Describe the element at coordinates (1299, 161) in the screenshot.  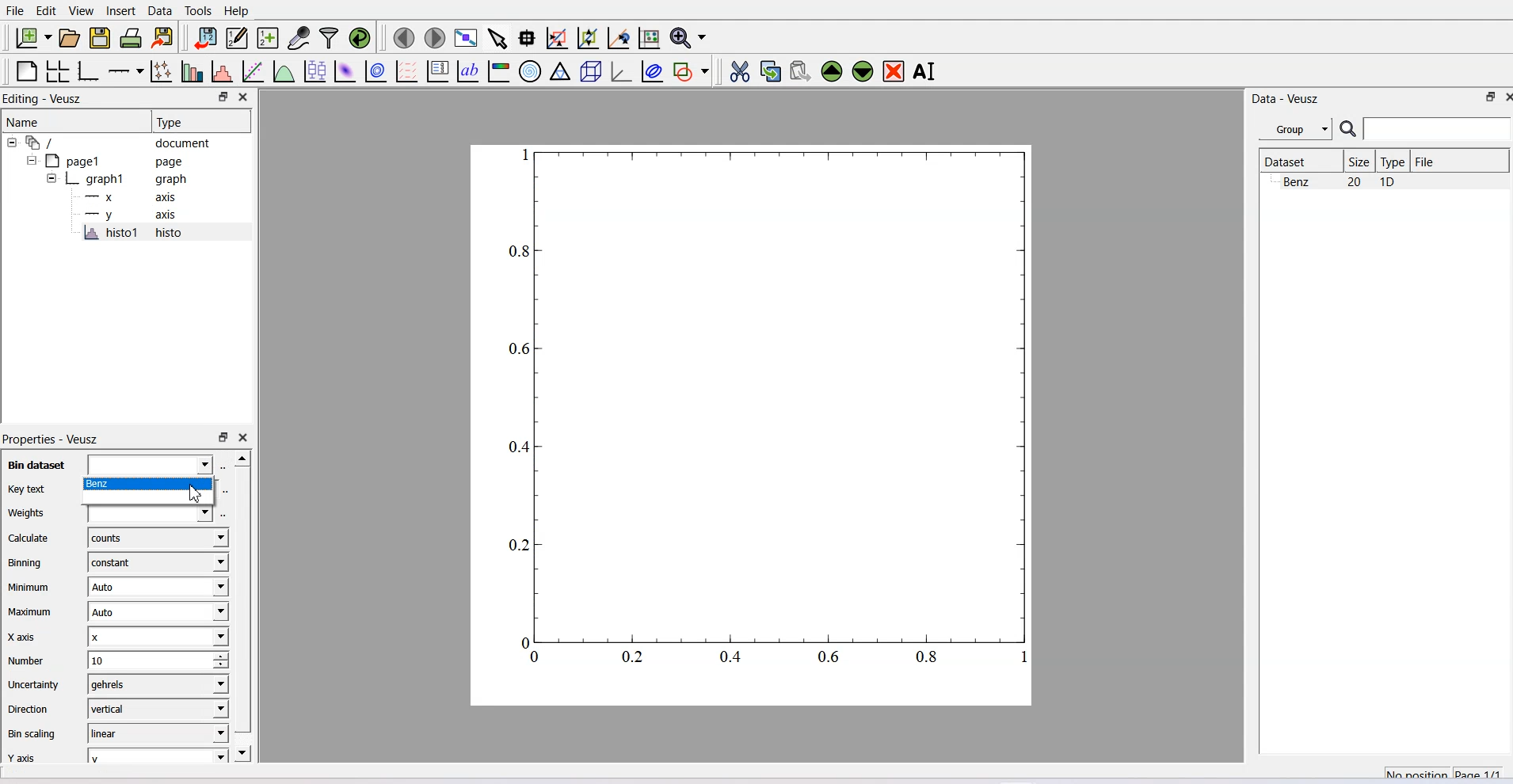
I see `Dataset` at that location.